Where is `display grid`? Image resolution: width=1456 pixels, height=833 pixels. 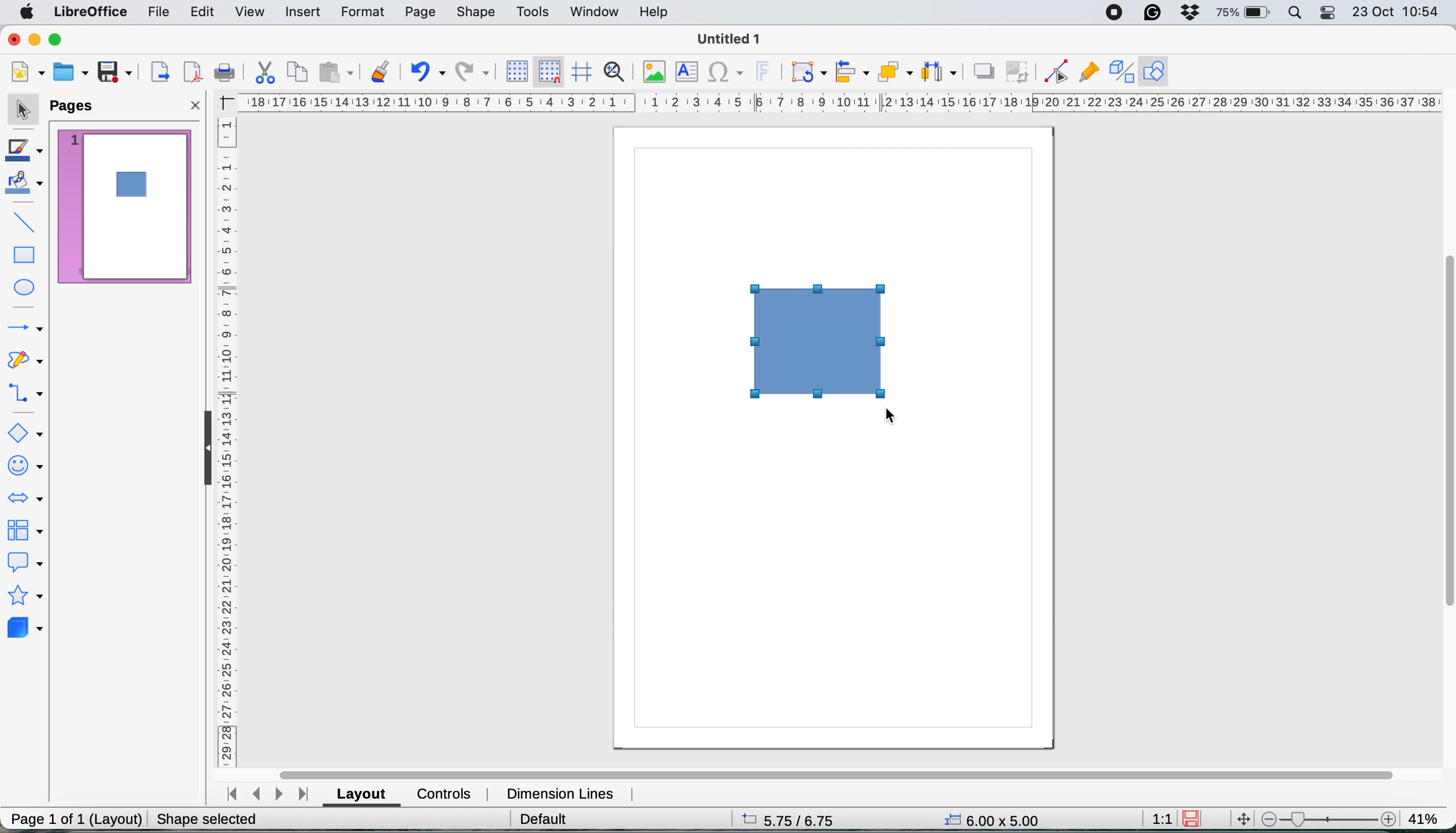
display grid is located at coordinates (517, 70).